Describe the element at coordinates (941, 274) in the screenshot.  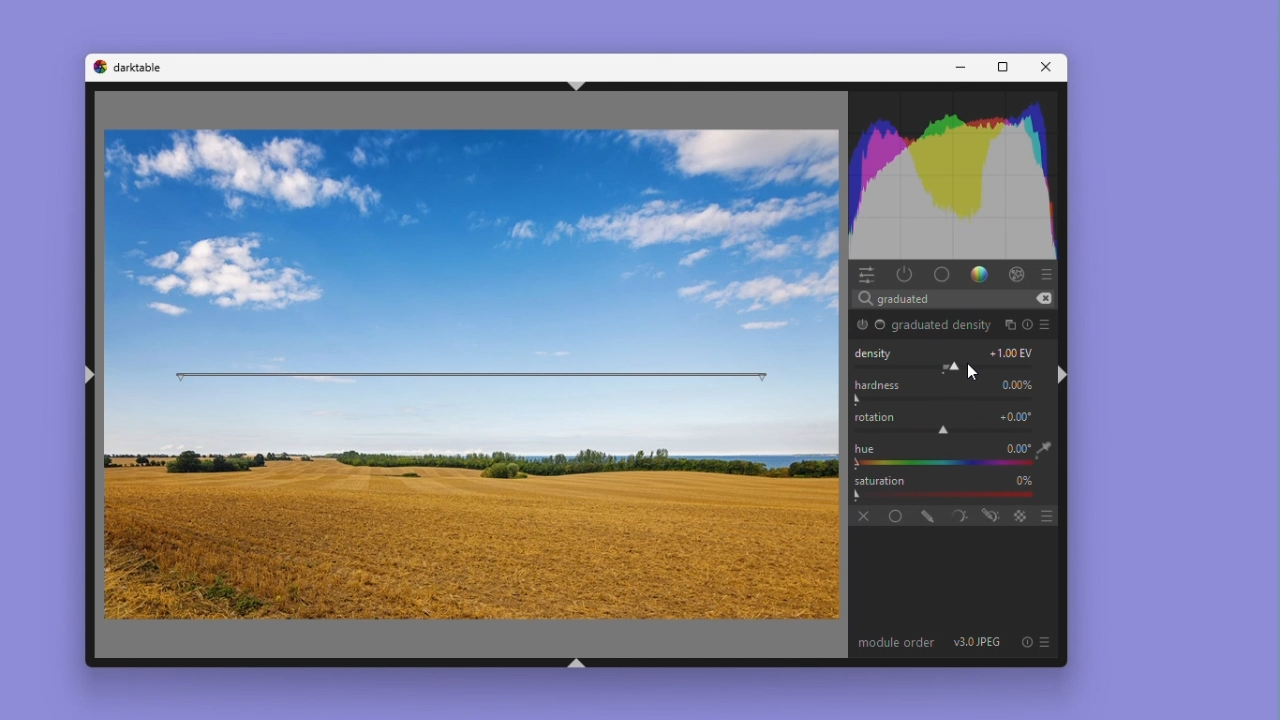
I see `base` at that location.